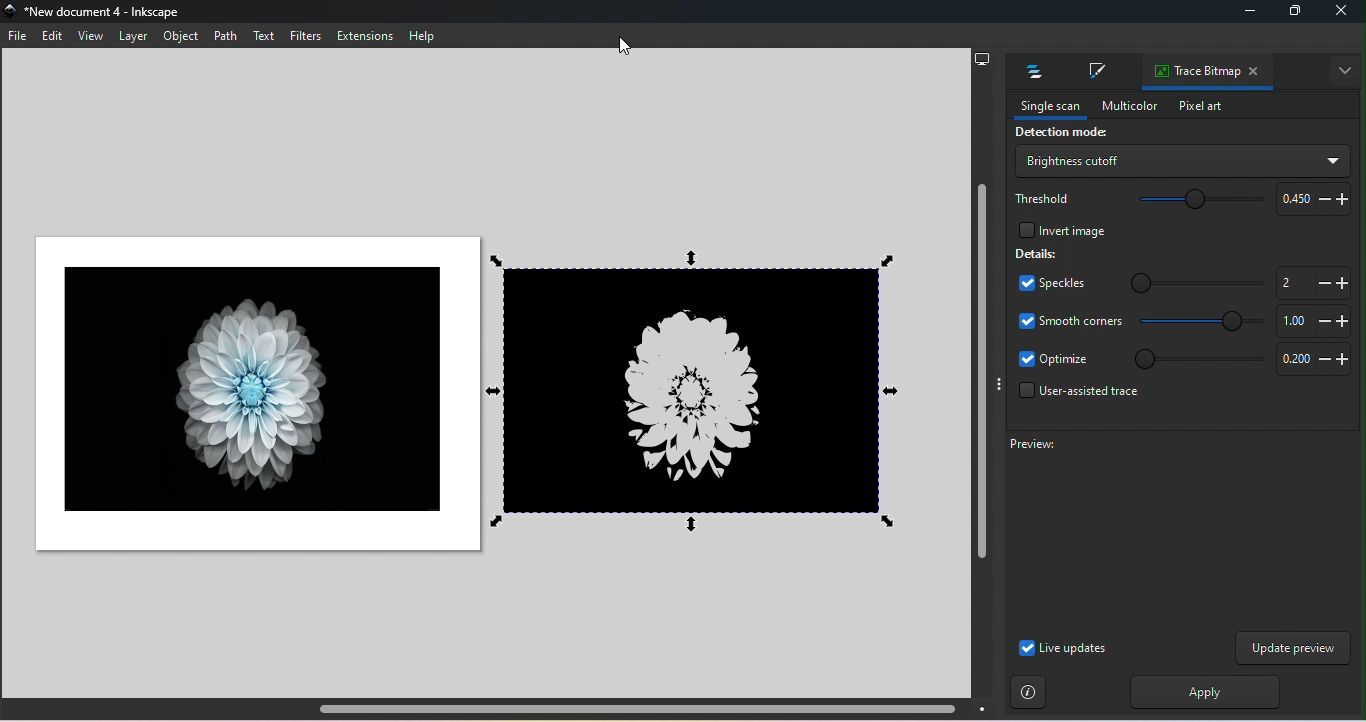  Describe the element at coordinates (1310, 361) in the screenshot. I see `Increase or decrease optimize` at that location.